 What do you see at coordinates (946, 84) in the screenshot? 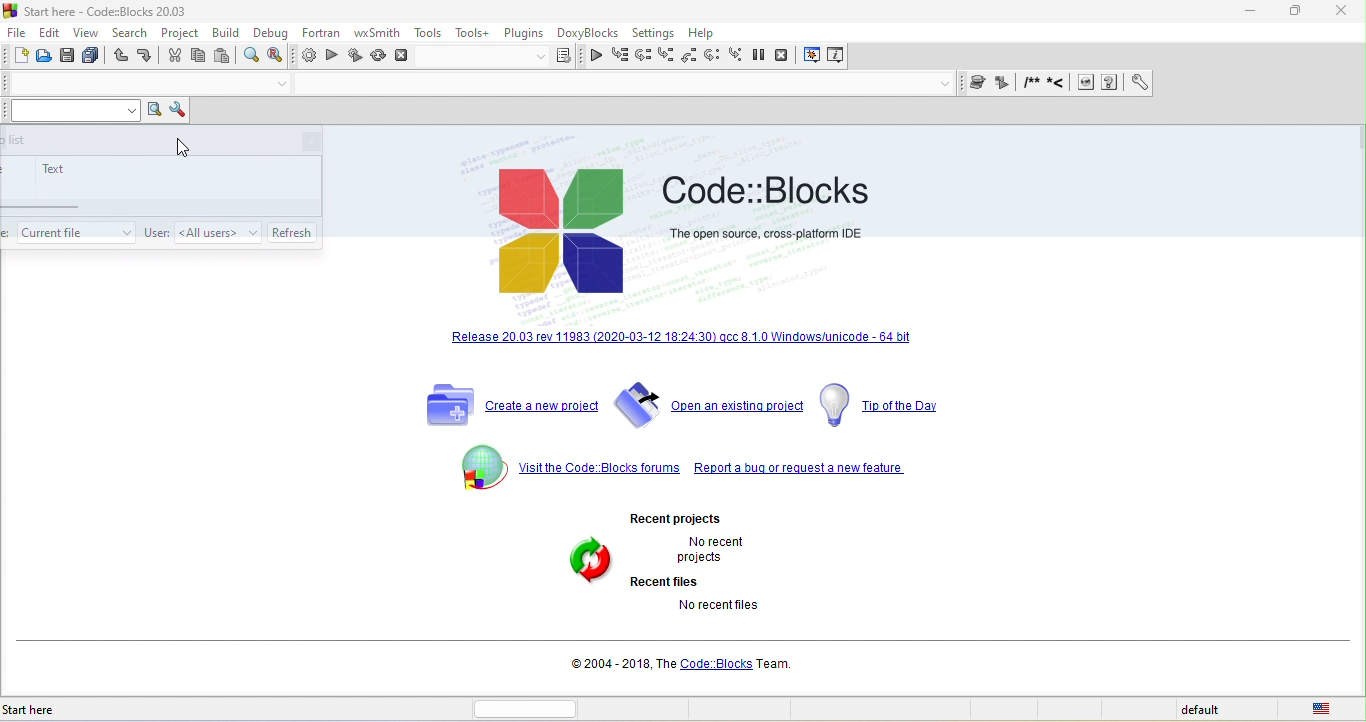
I see `drop down` at bounding box center [946, 84].